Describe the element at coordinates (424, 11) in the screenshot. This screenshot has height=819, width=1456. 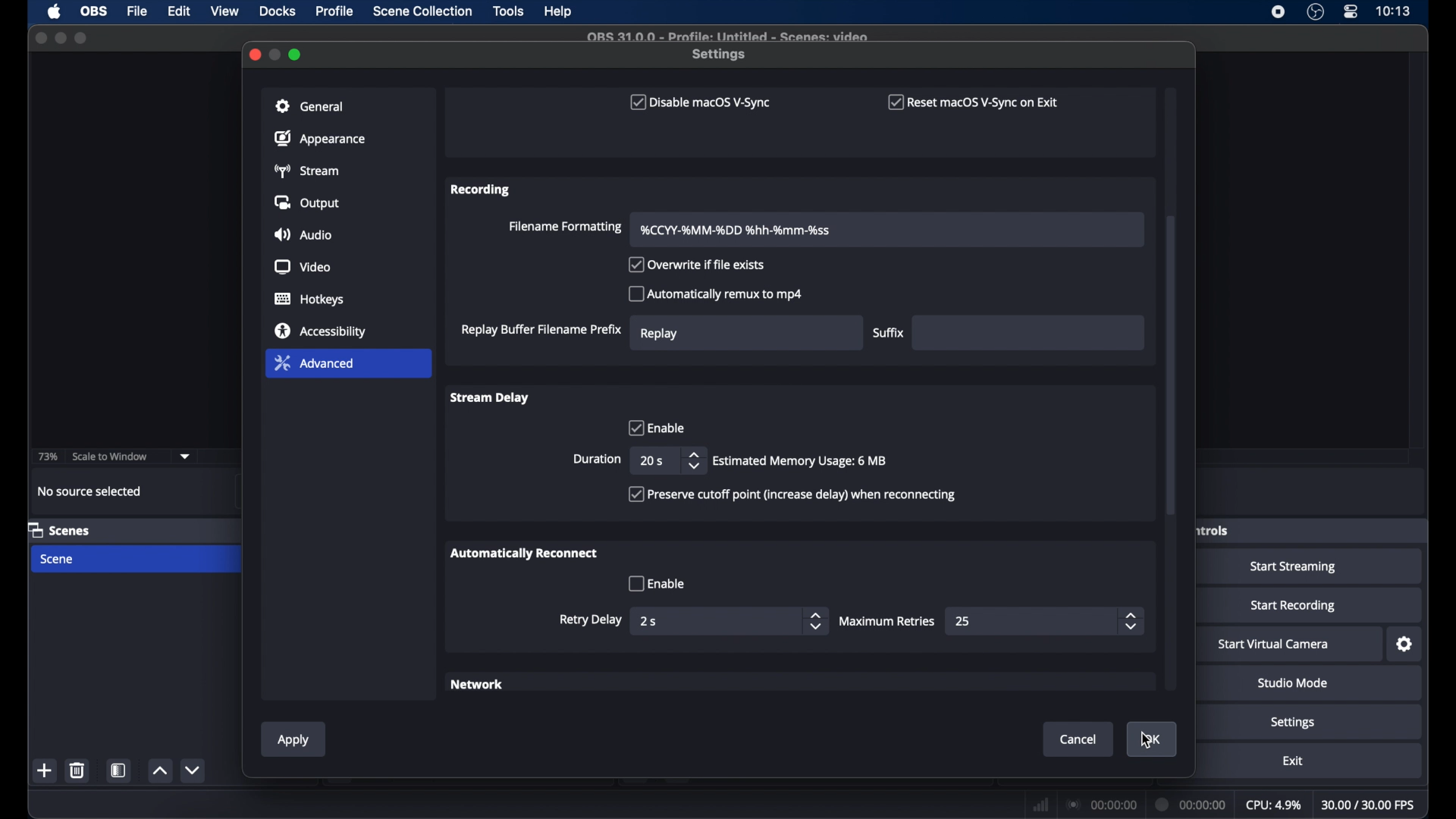
I see `scene collection` at that location.